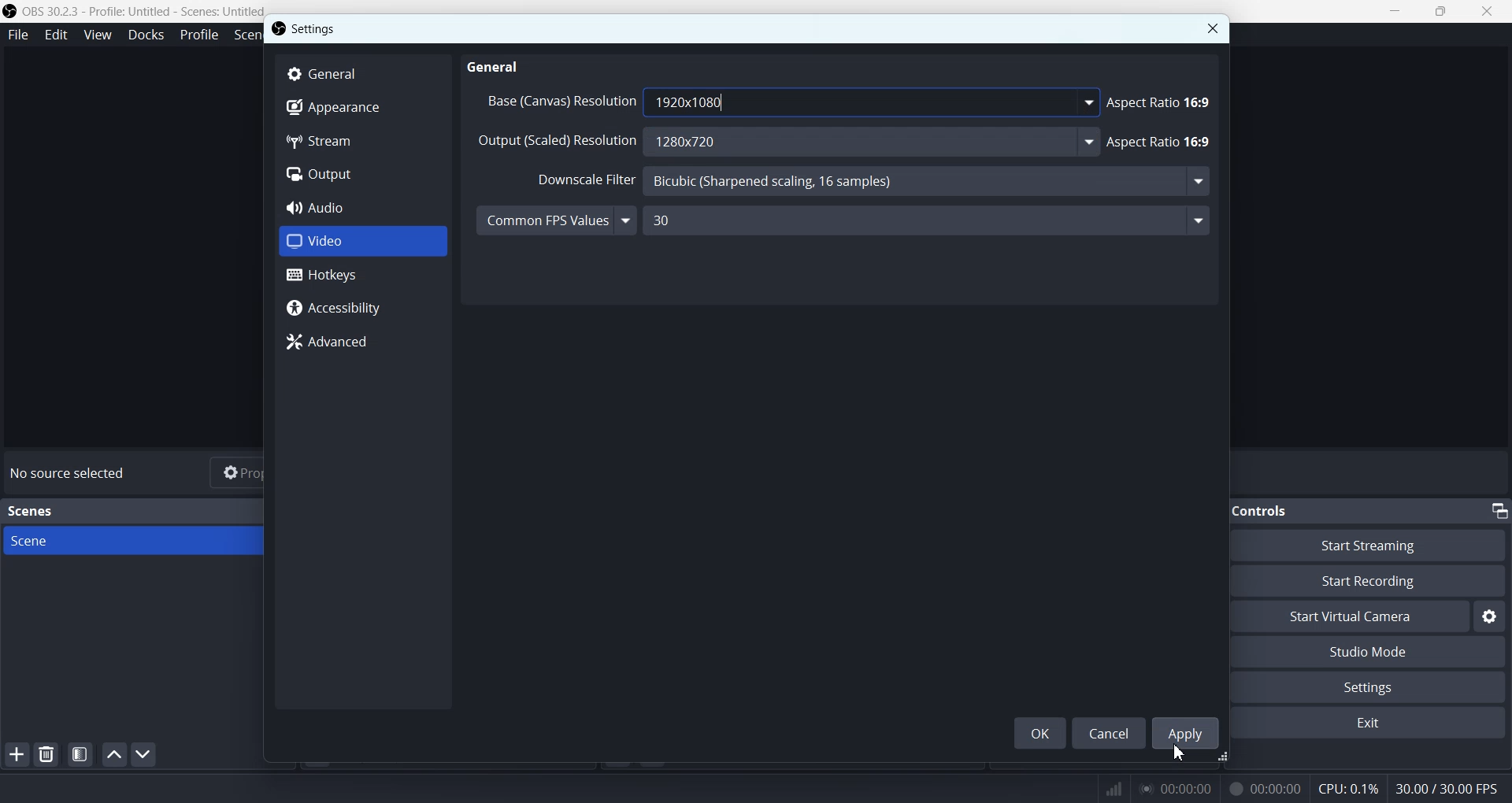  Describe the element at coordinates (33, 511) in the screenshot. I see `Text` at that location.